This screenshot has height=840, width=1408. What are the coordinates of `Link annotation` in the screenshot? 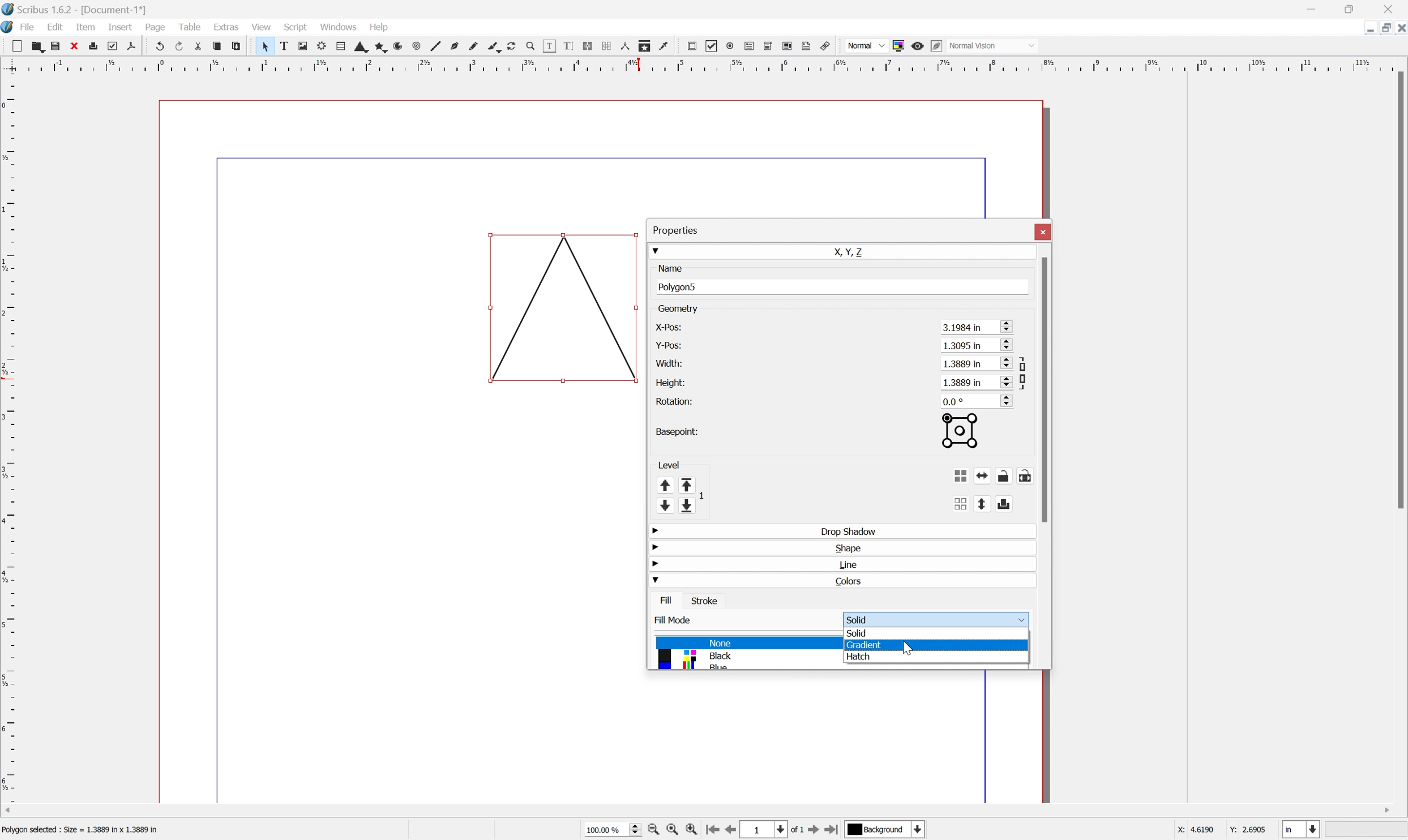 It's located at (827, 45).